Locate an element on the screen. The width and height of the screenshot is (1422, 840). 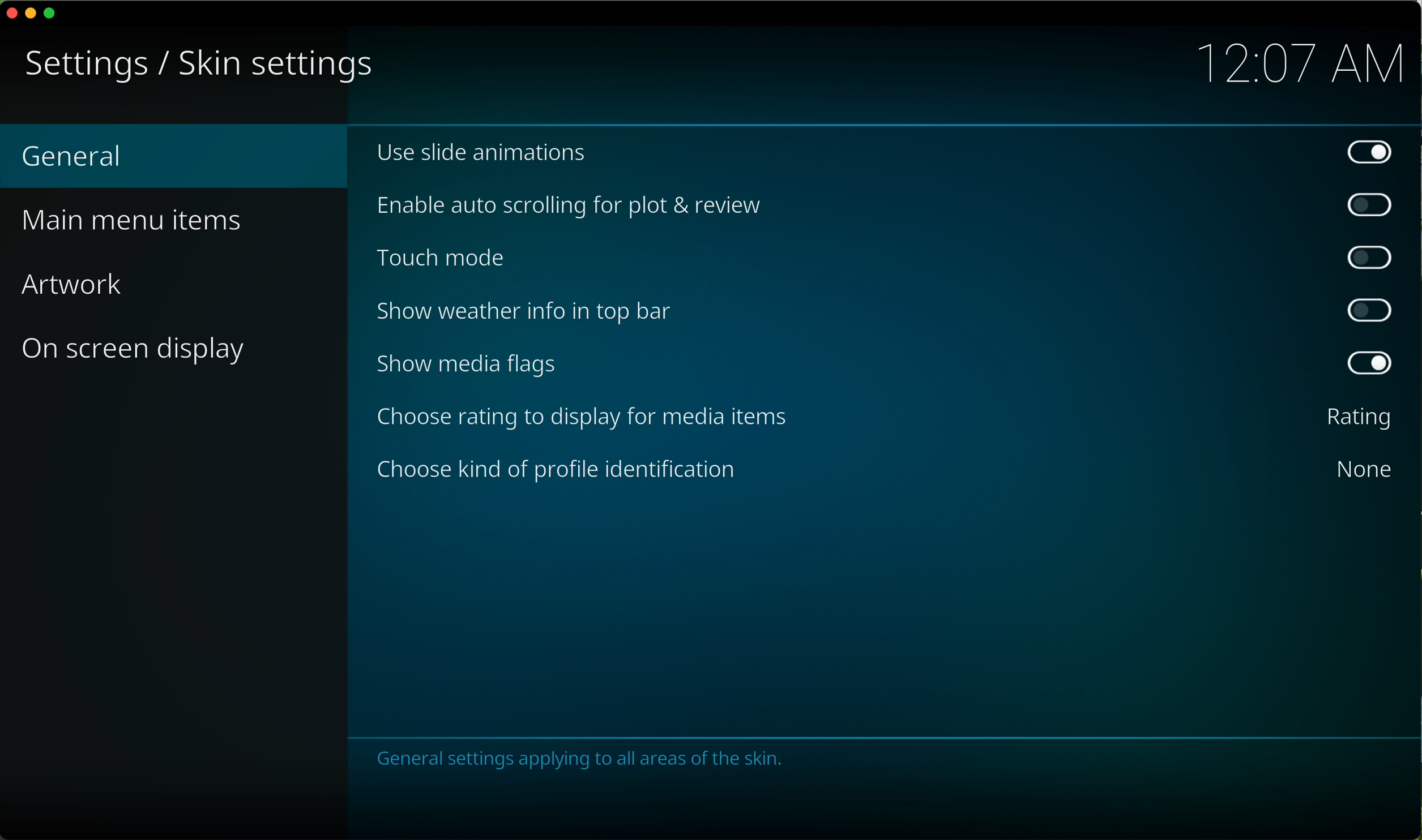
artwork is located at coordinates (74, 288).